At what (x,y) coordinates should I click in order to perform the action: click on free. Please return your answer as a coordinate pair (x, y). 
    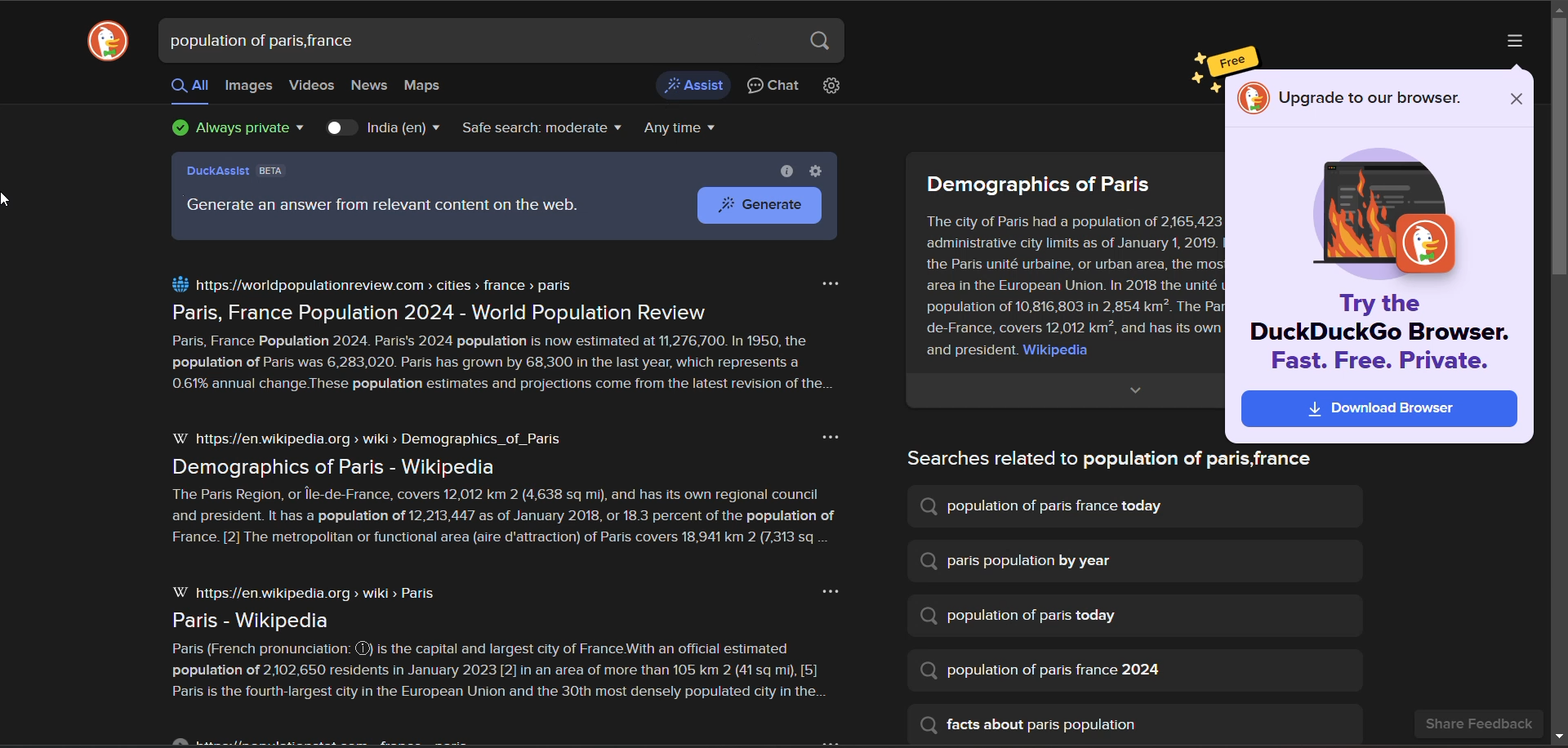
    Looking at the image, I should click on (1223, 60).